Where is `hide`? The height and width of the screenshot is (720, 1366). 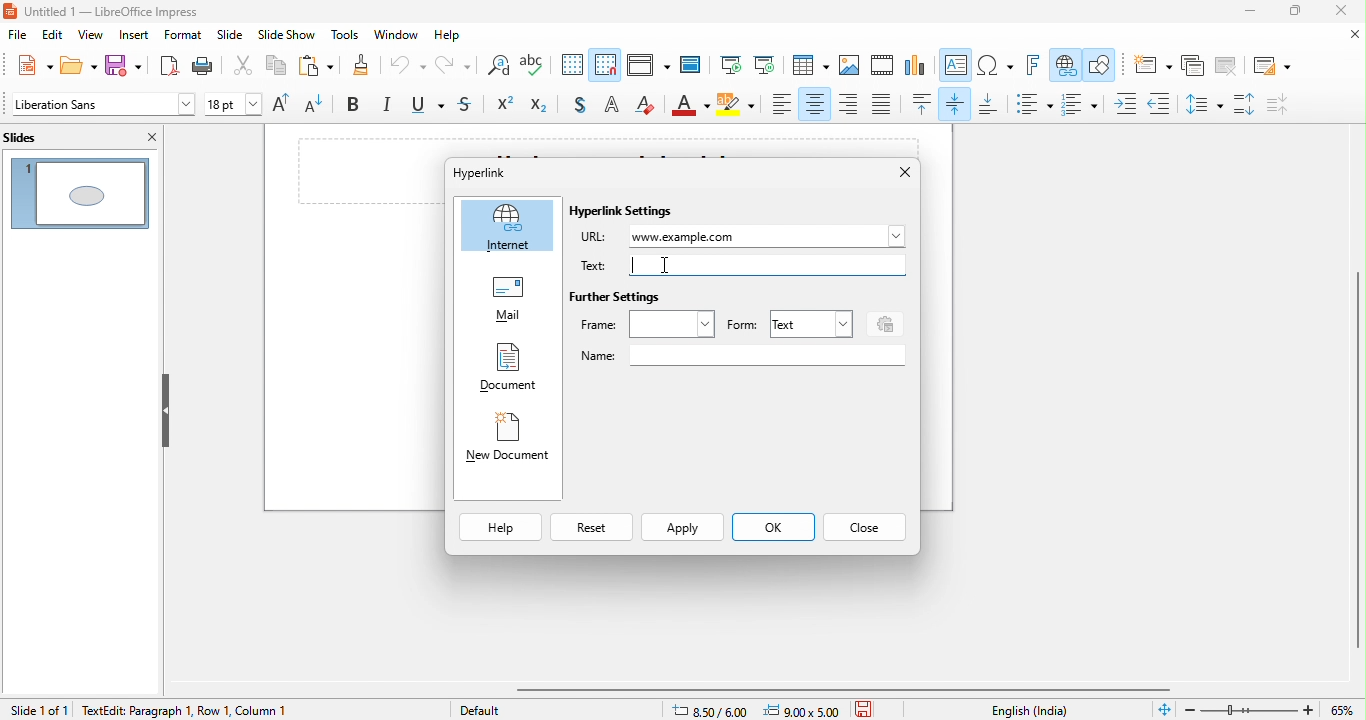 hide is located at coordinates (165, 410).